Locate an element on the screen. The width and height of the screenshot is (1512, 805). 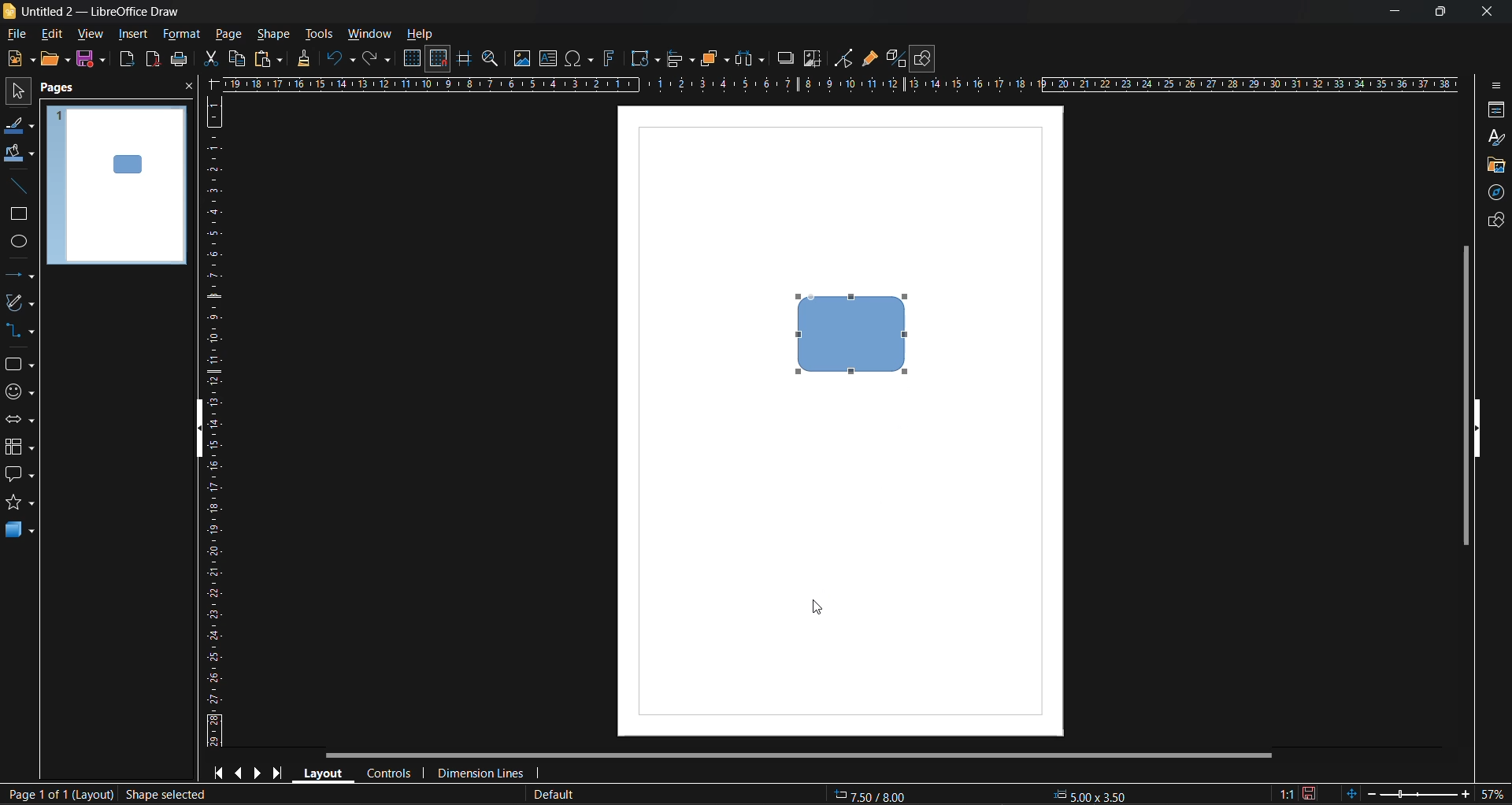
special characters is located at coordinates (580, 59).